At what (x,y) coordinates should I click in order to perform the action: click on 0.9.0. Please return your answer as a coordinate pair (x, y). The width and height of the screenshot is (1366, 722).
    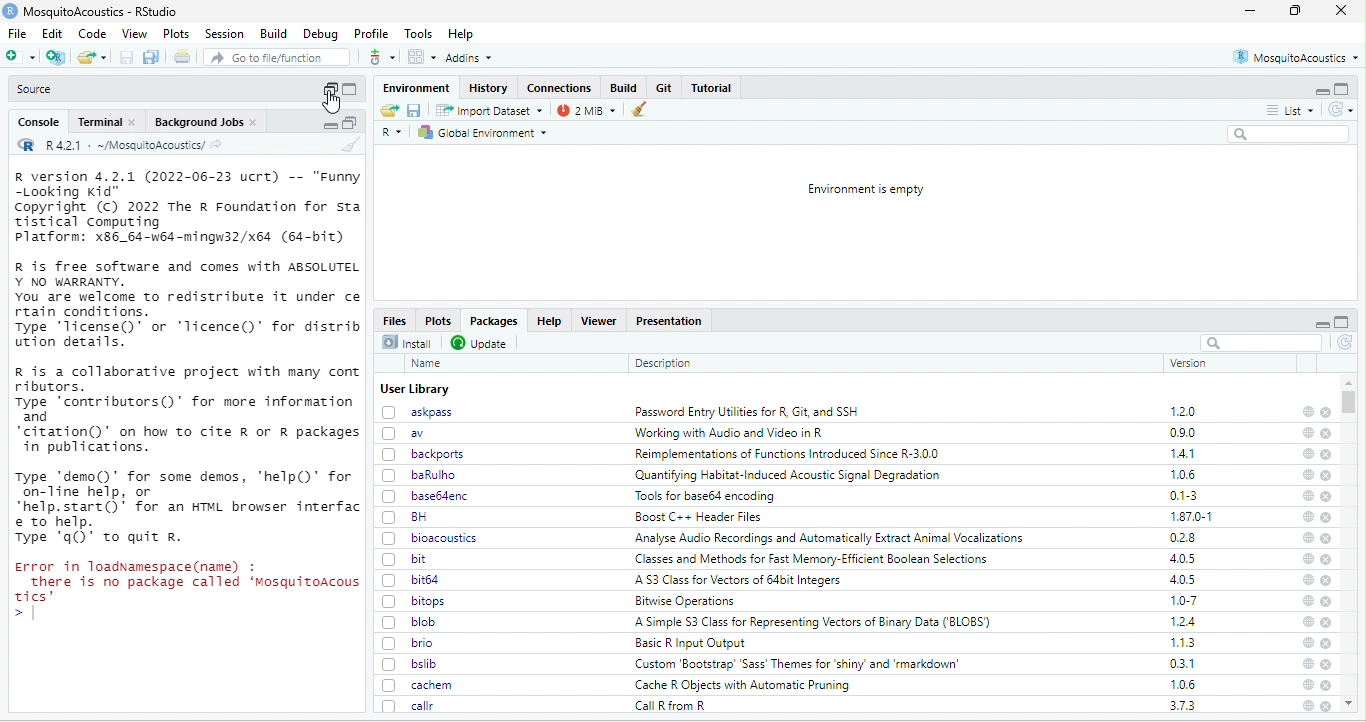
    Looking at the image, I should click on (1183, 432).